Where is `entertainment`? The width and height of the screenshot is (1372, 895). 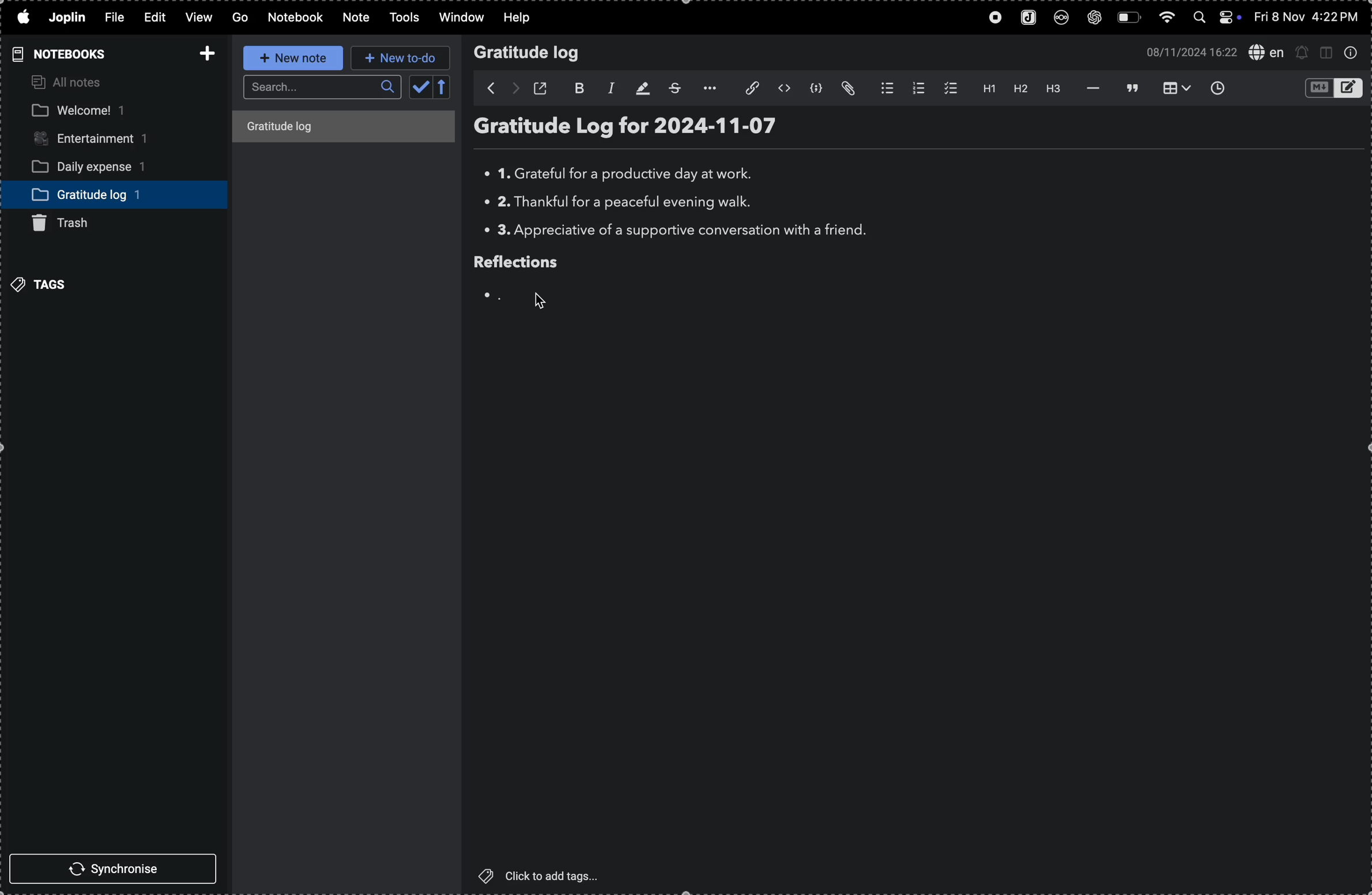
entertainment is located at coordinates (97, 140).